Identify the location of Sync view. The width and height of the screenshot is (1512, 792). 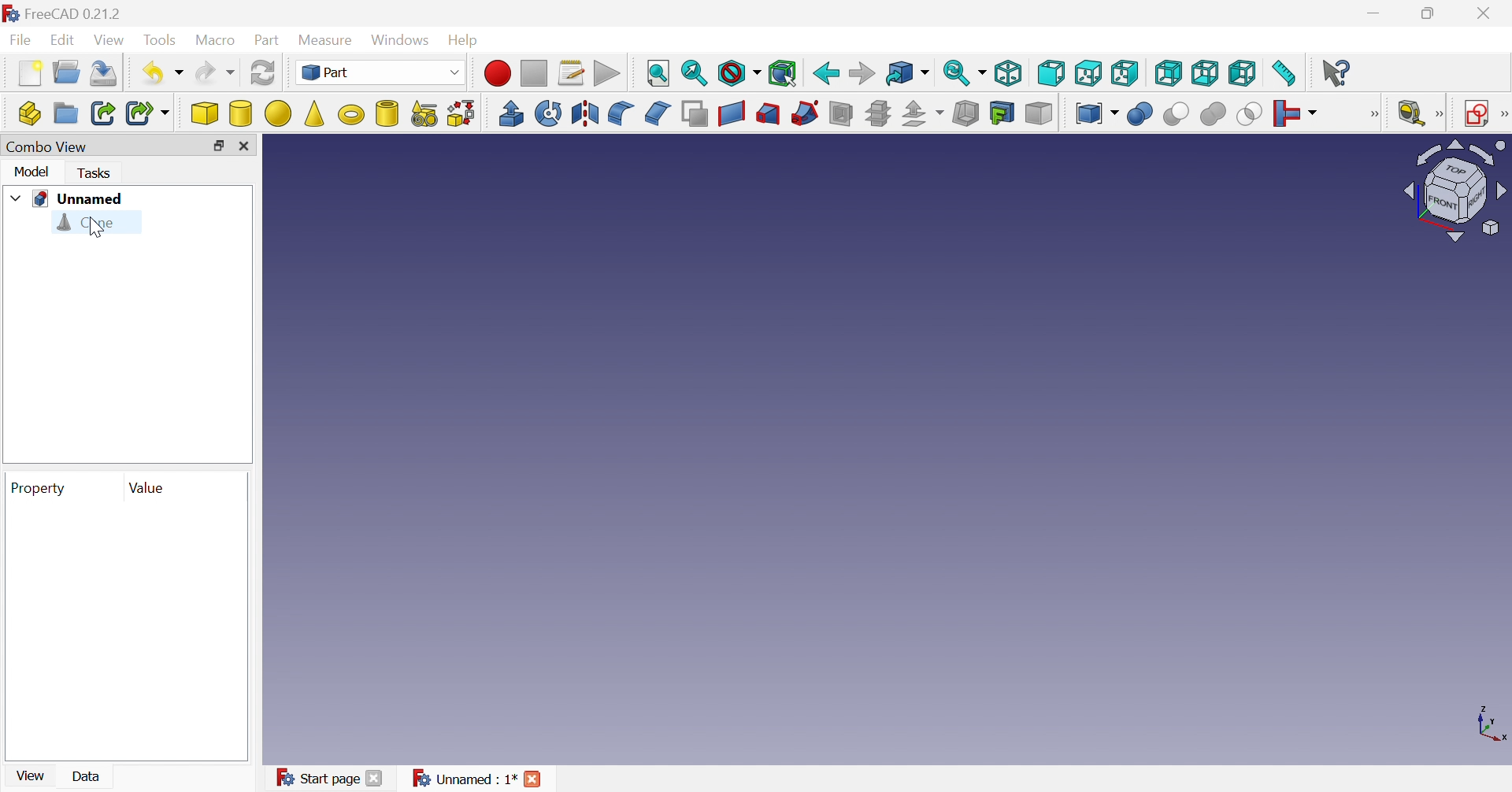
(962, 74).